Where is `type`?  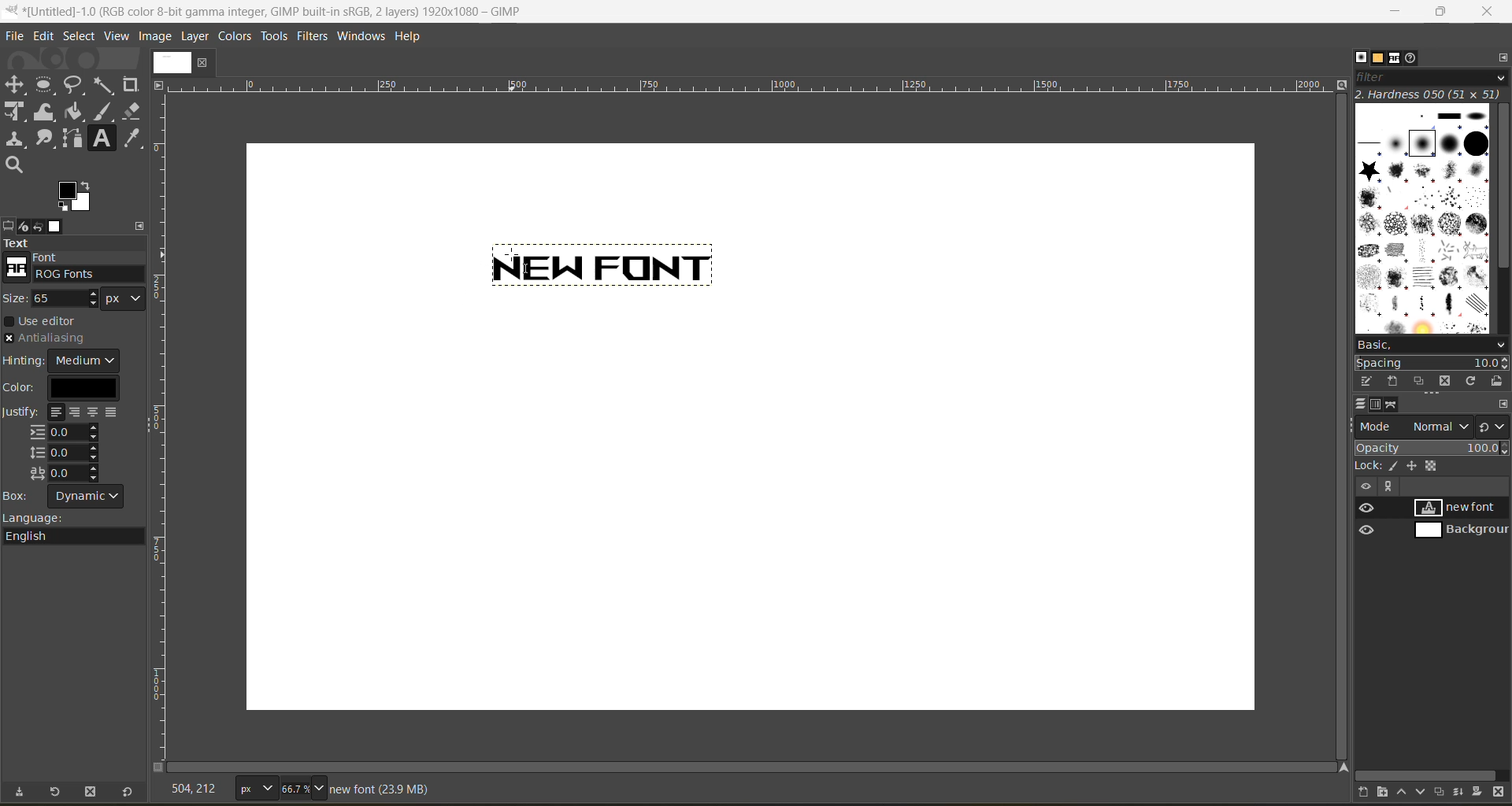 type is located at coordinates (255, 787).